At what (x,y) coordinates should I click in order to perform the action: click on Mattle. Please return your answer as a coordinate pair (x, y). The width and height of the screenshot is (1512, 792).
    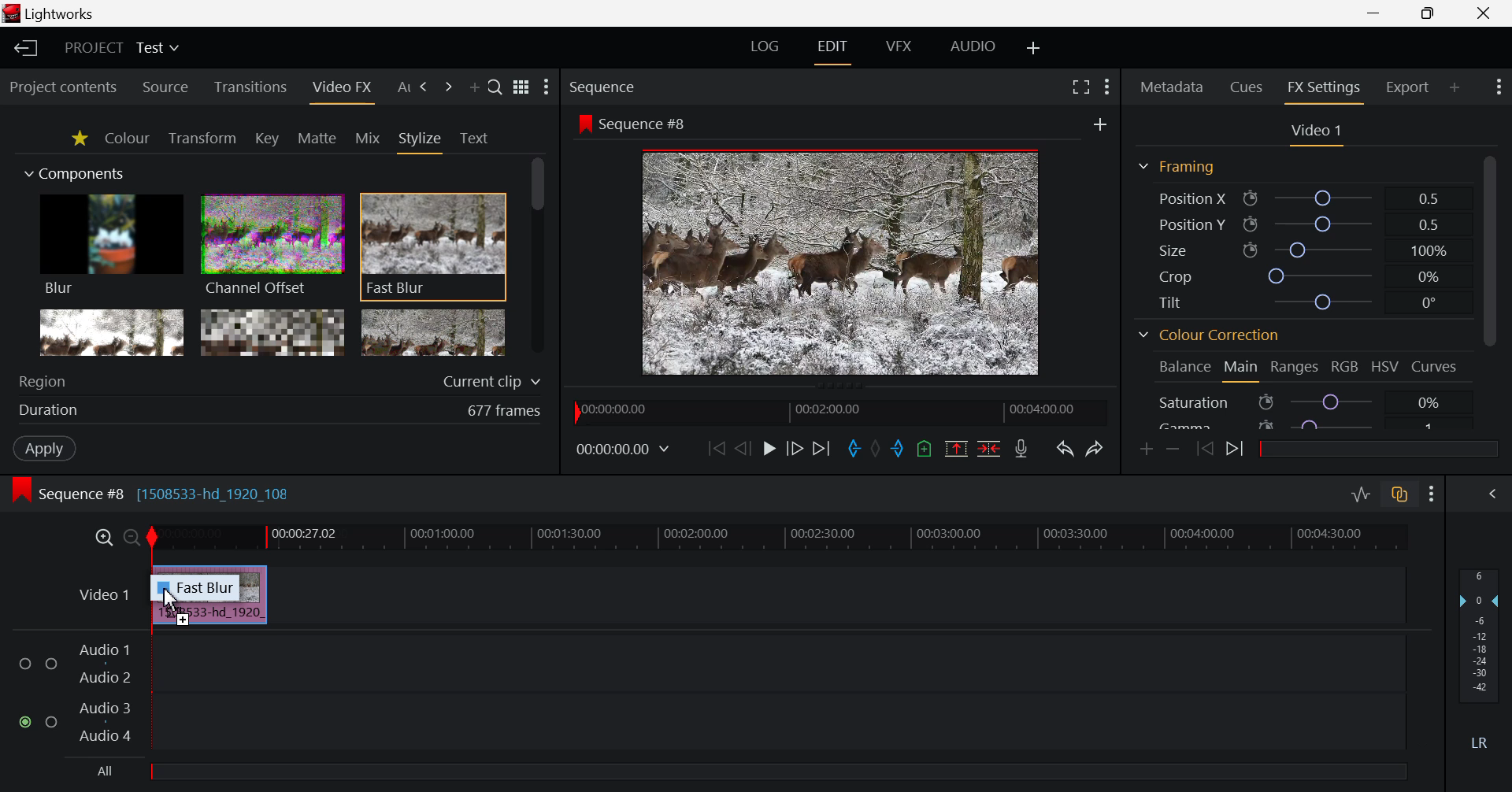
    Looking at the image, I should click on (317, 137).